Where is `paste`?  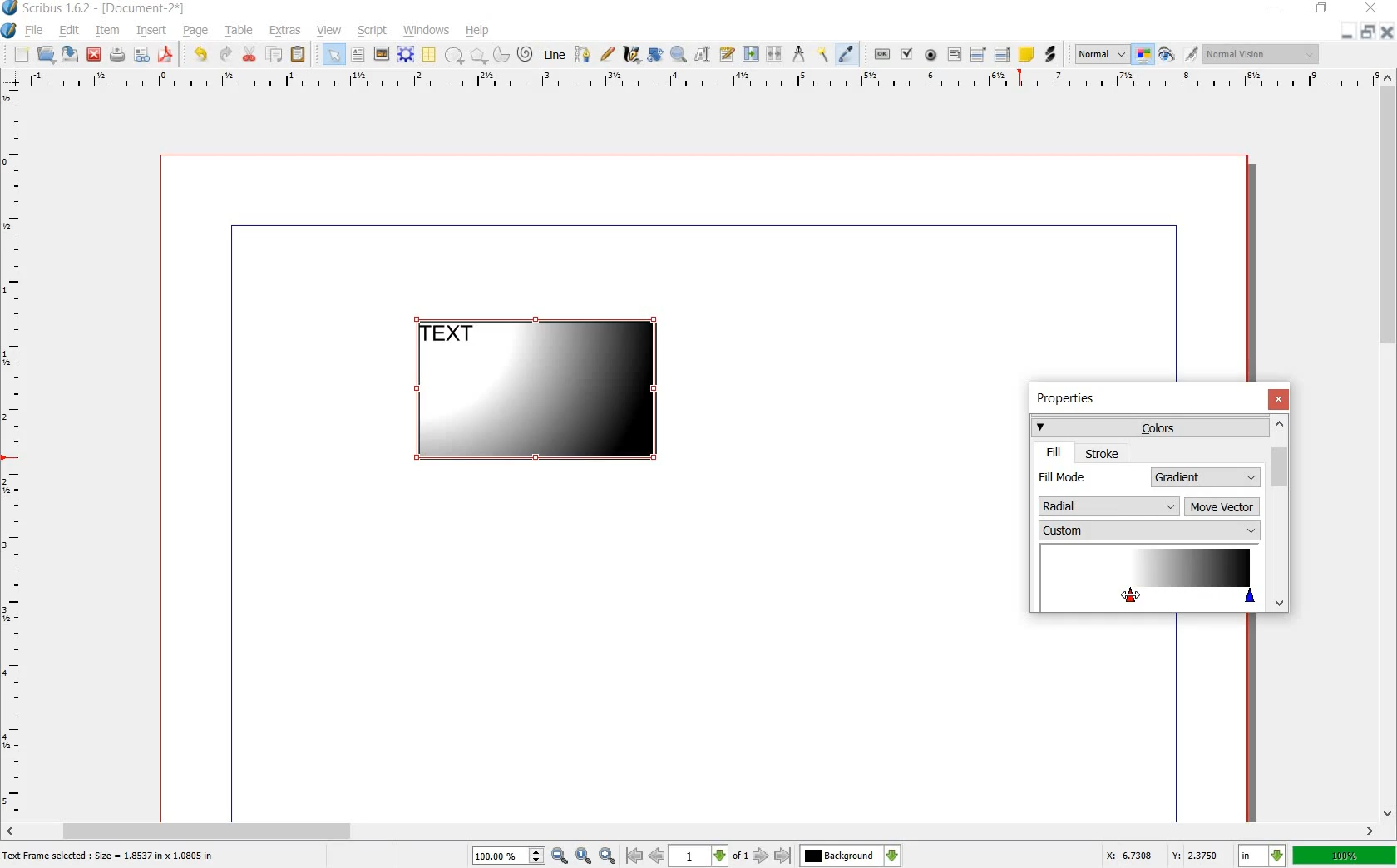 paste is located at coordinates (299, 55).